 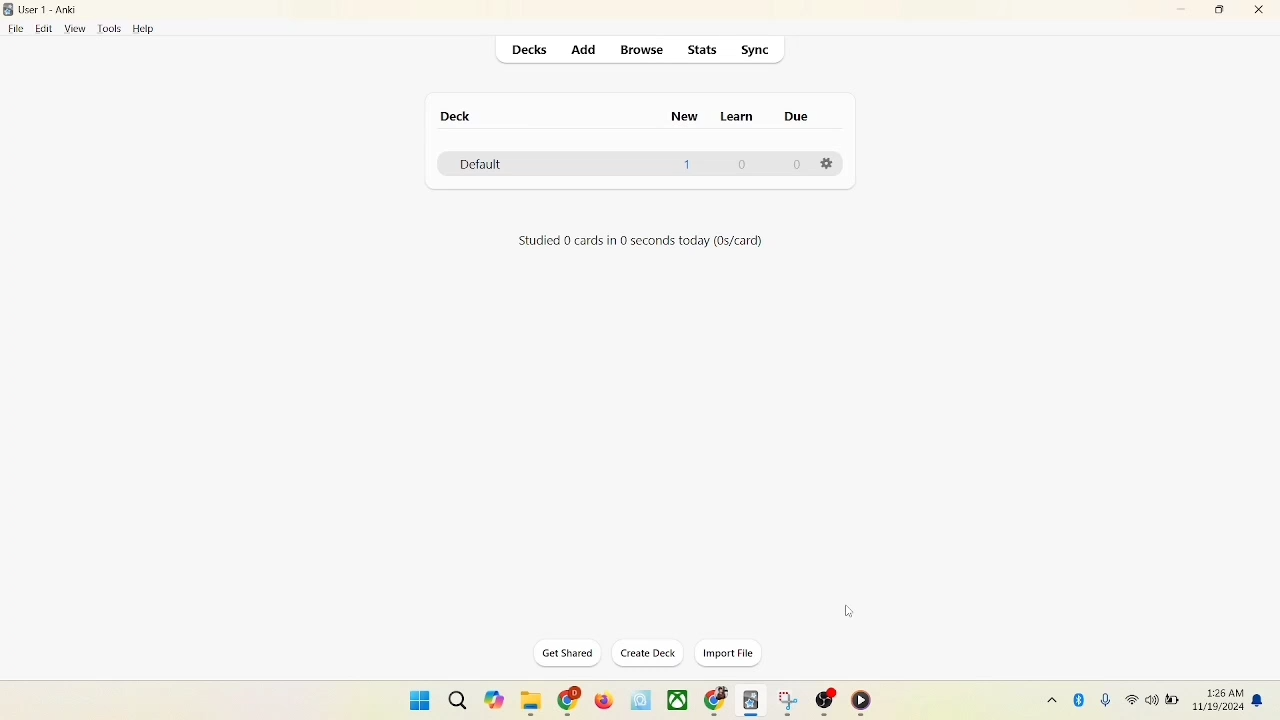 I want to click on 0, so click(x=798, y=165).